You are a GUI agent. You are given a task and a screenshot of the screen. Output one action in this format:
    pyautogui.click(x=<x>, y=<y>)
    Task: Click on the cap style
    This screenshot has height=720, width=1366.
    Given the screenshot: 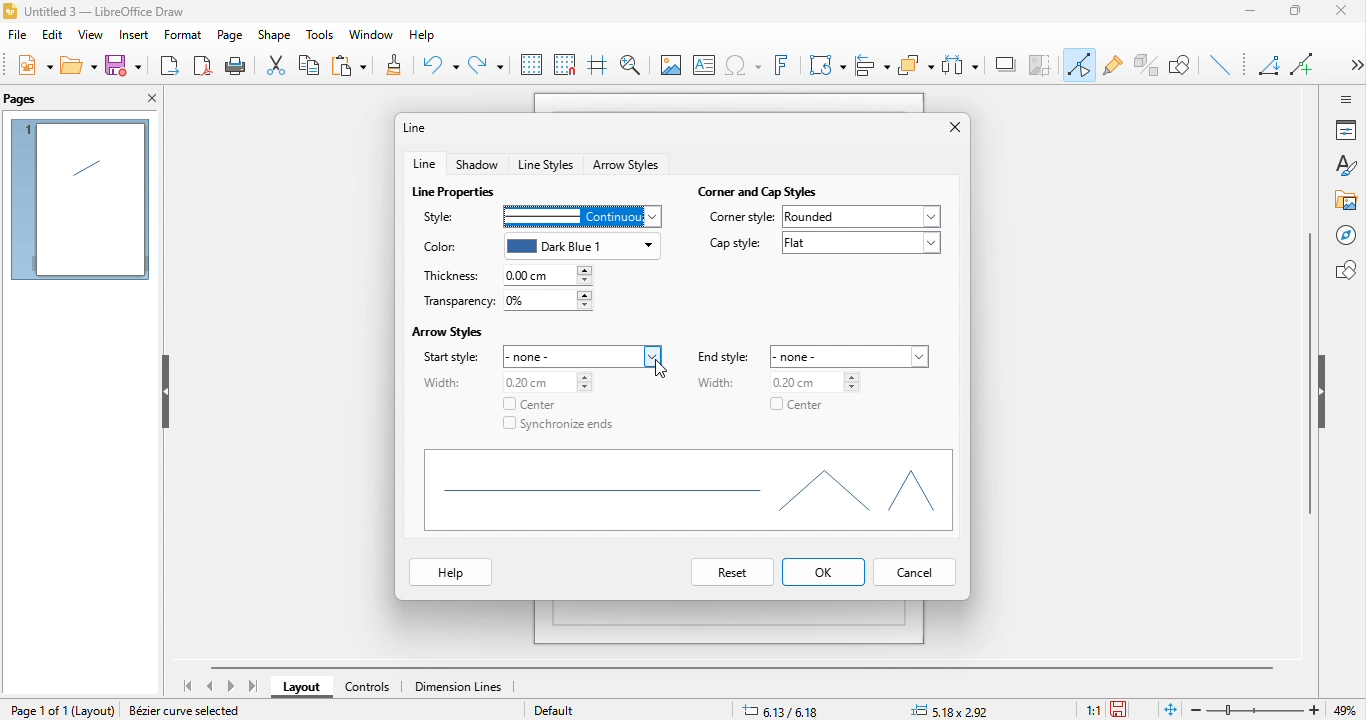 What is the action you would take?
    pyautogui.click(x=732, y=244)
    